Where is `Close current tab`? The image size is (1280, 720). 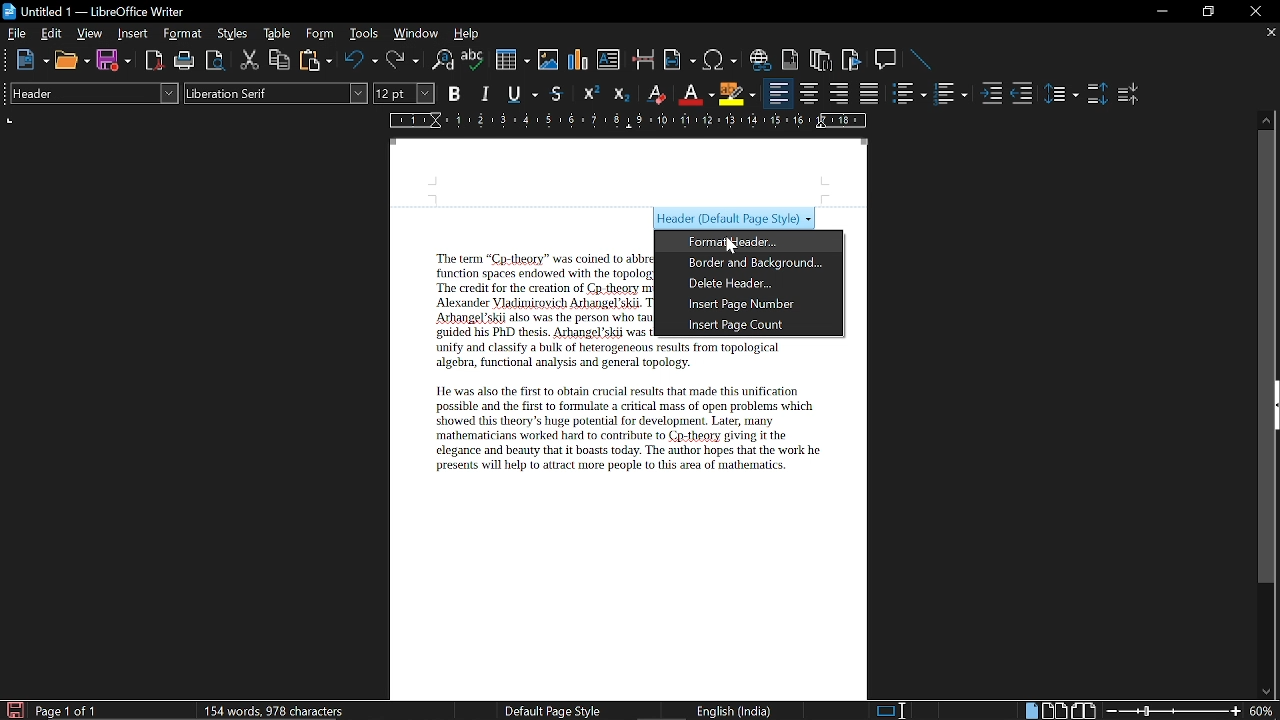
Close current tab is located at coordinates (1267, 32).